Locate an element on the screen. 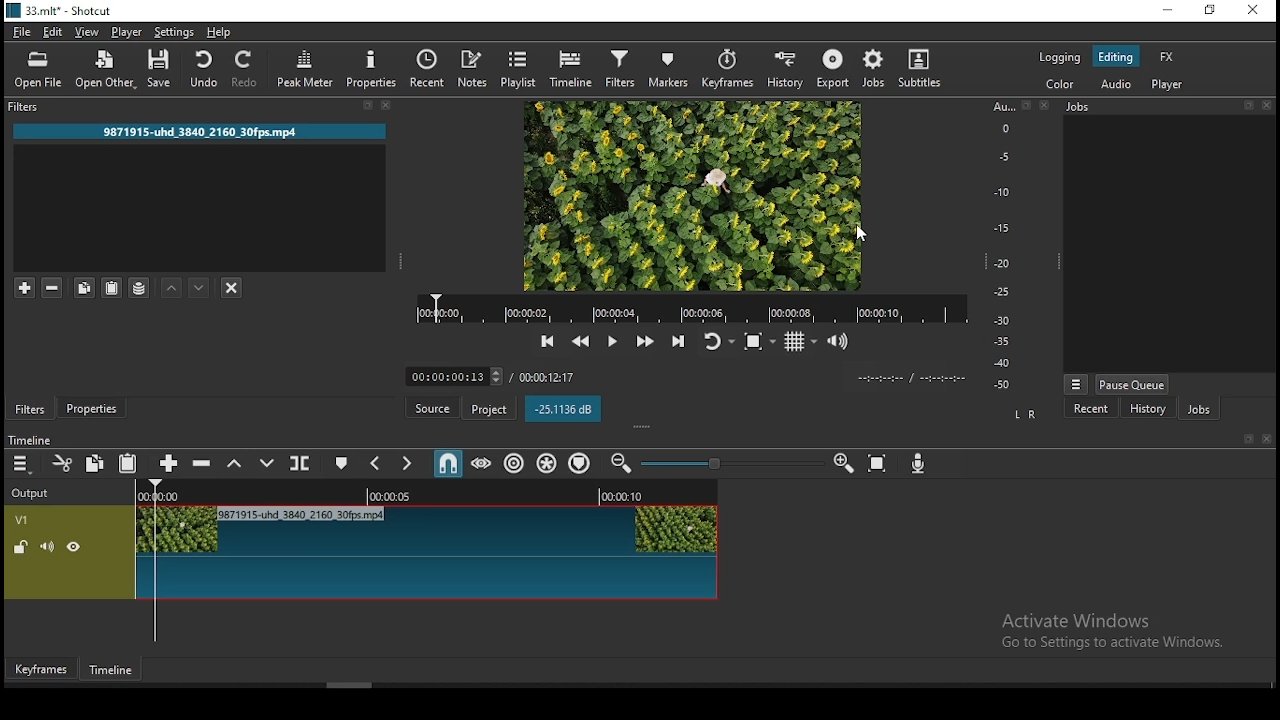  copy selected filter is located at coordinates (81, 286).